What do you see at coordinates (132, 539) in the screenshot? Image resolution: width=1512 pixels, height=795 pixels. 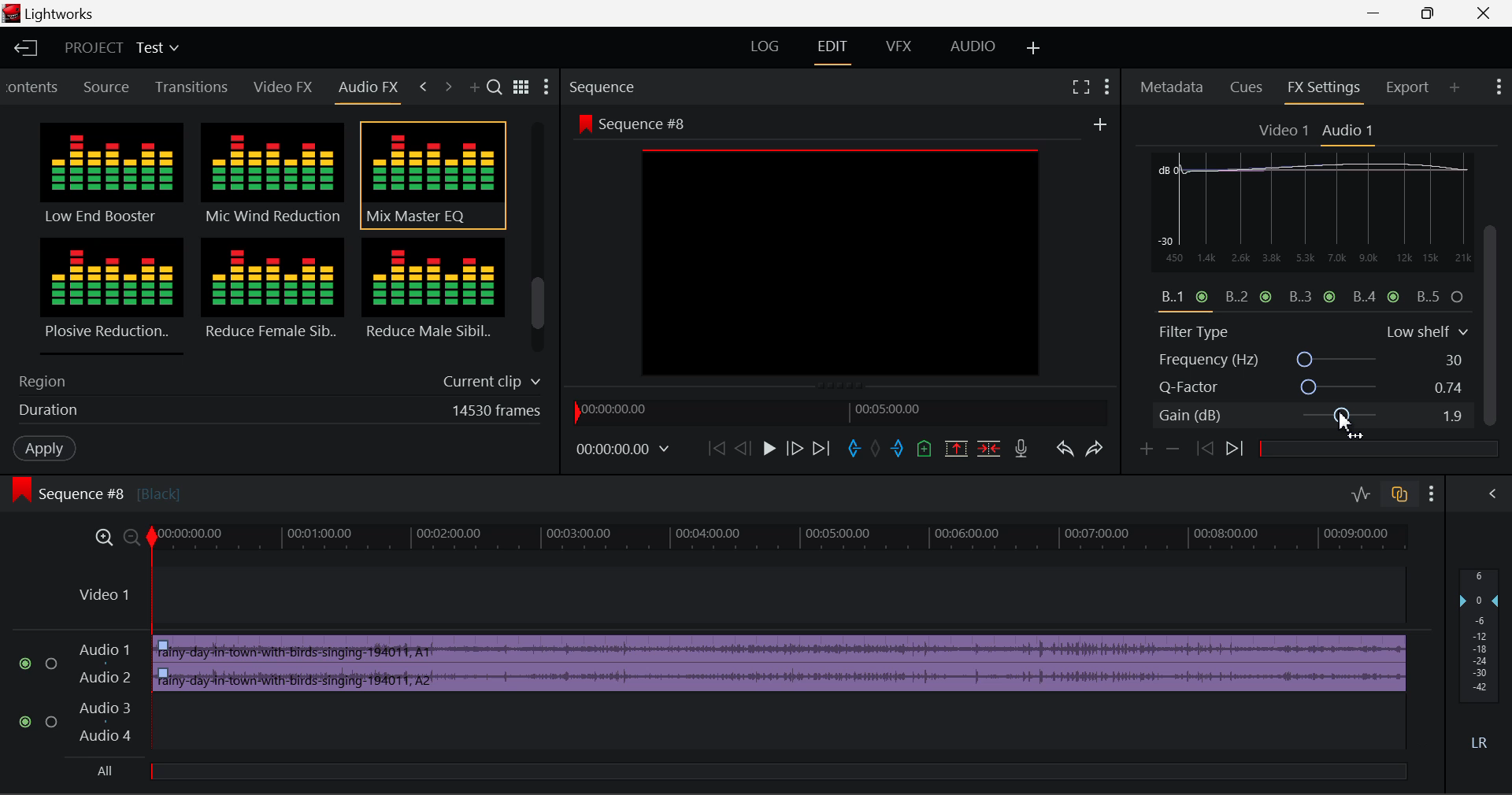 I see `Timeline Zoom Out` at bounding box center [132, 539].